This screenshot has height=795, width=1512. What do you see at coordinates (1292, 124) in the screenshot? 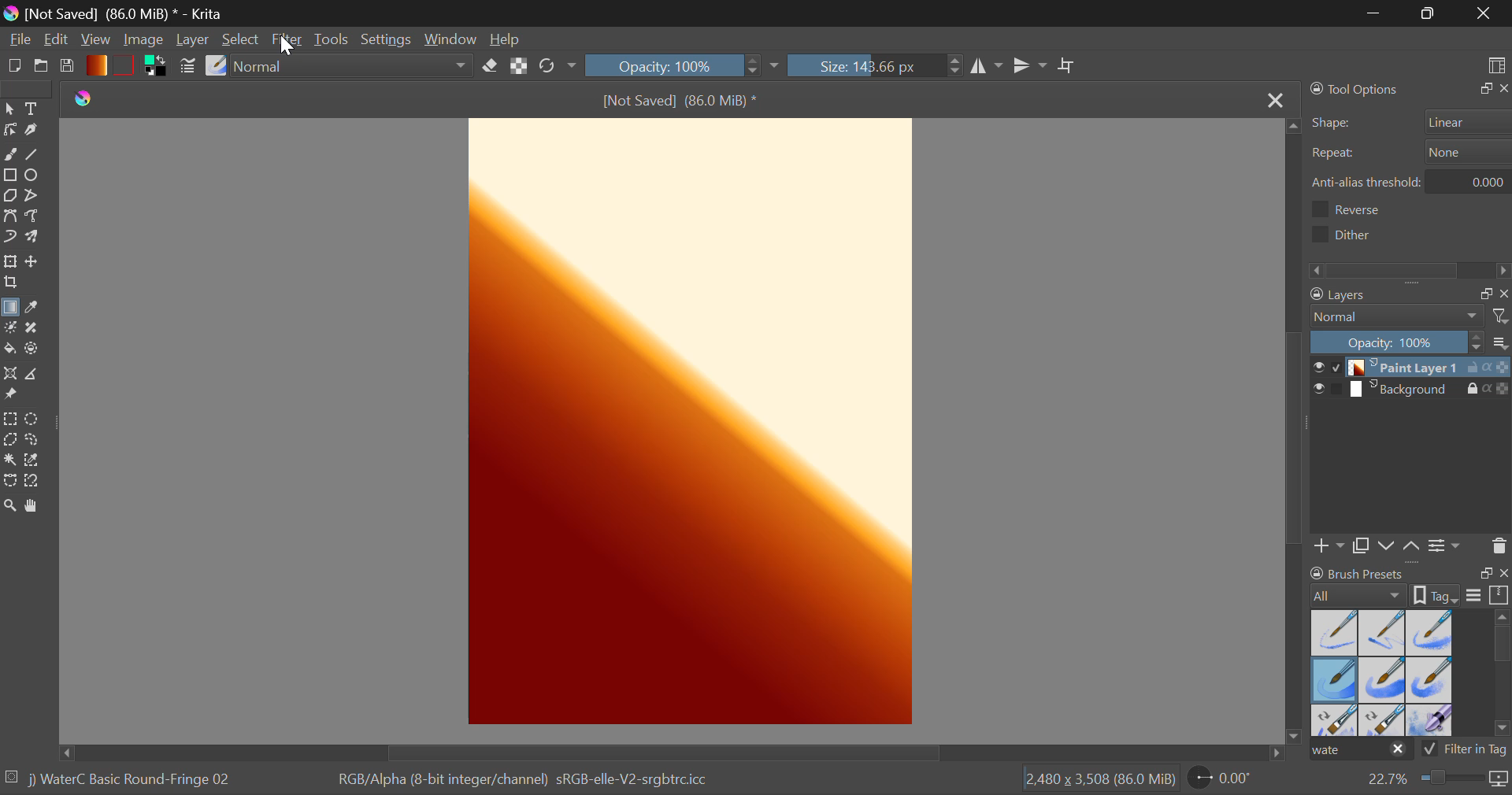
I see `move up` at bounding box center [1292, 124].